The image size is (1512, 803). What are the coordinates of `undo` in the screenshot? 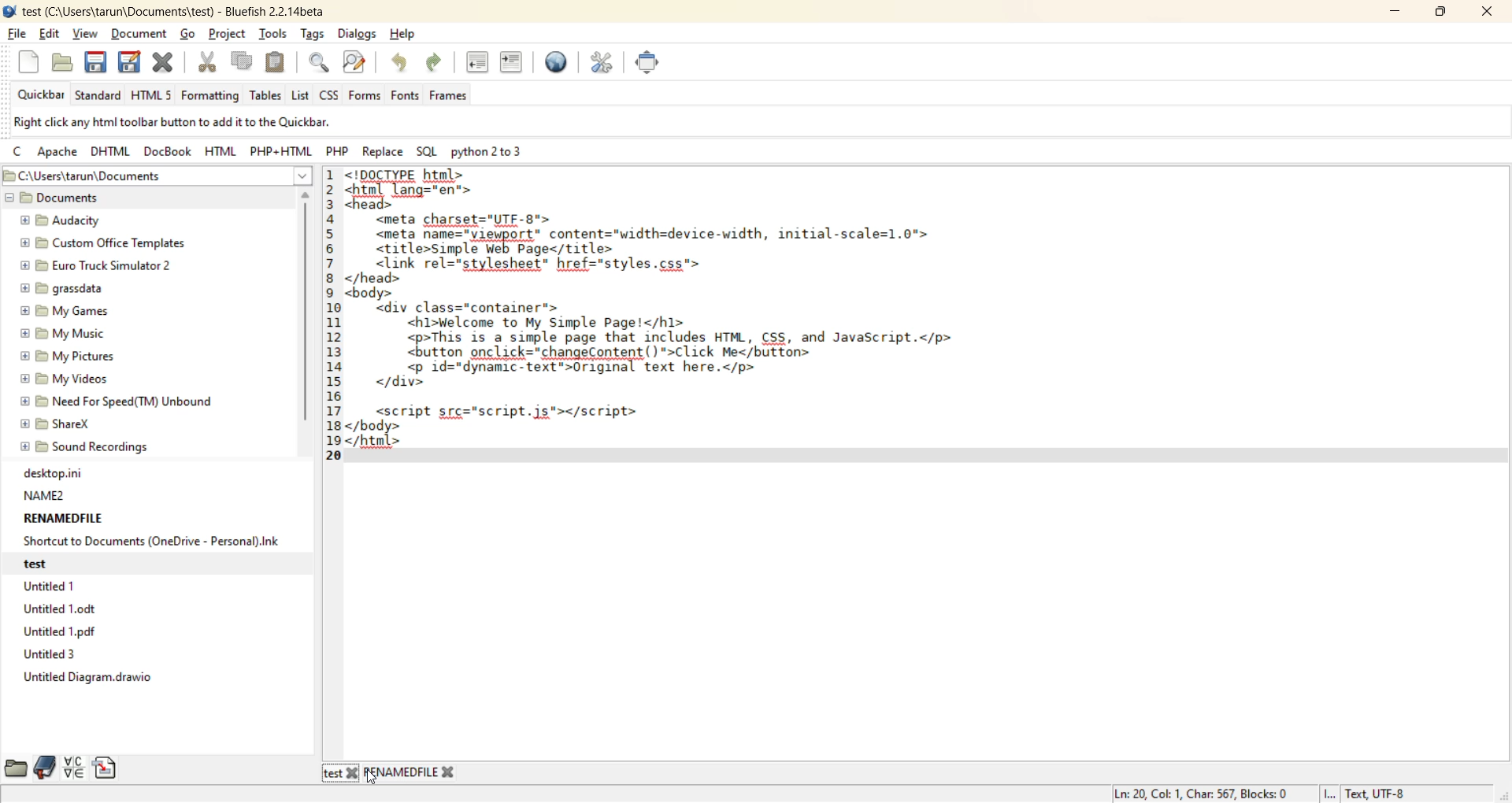 It's located at (402, 64).